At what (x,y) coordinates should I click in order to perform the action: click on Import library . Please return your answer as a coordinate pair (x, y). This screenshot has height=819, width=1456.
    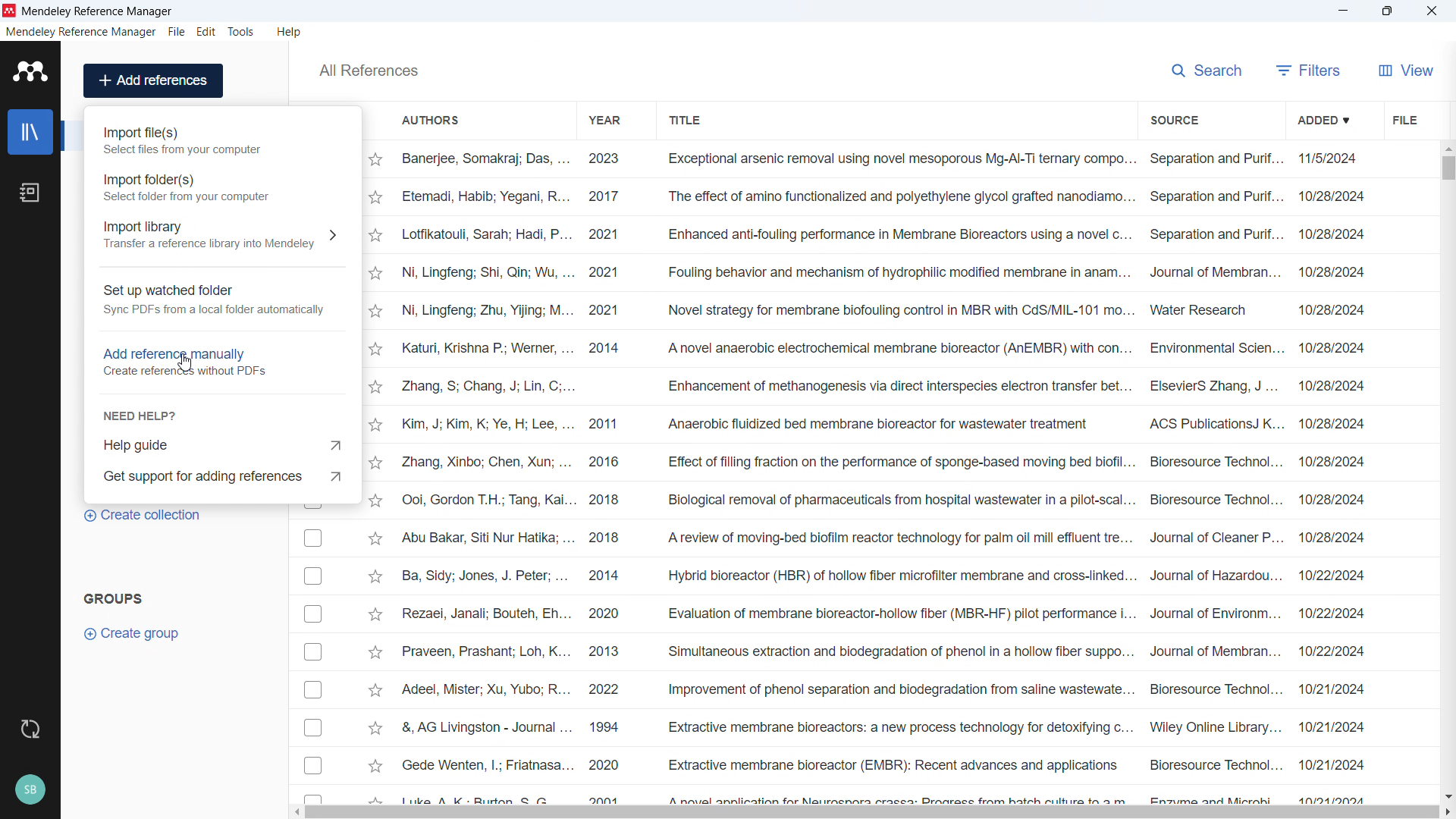
    Looking at the image, I should click on (222, 234).